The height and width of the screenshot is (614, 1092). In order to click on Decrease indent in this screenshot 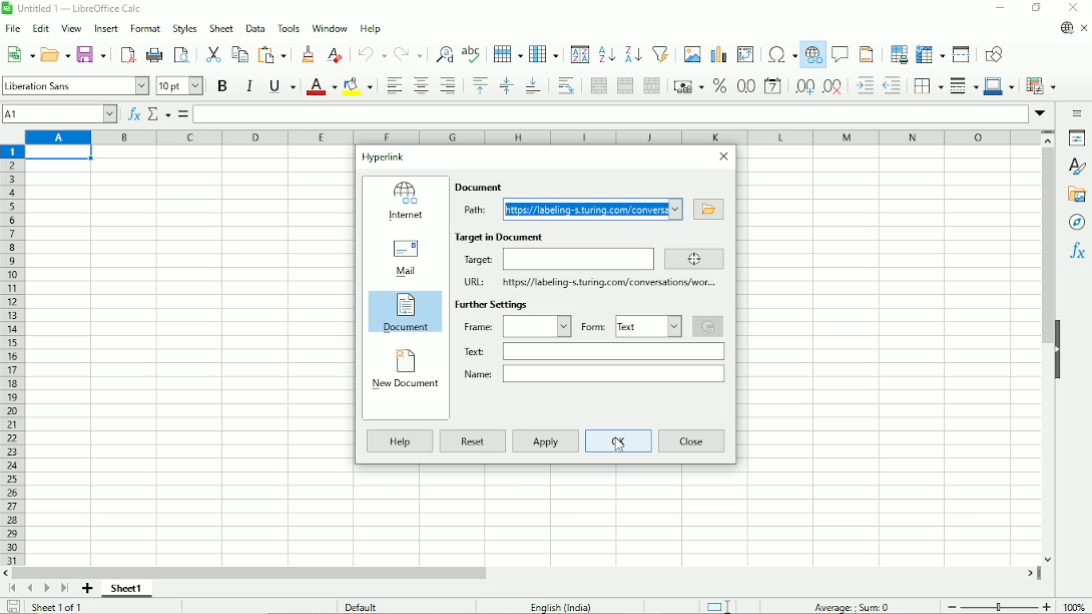, I will do `click(892, 87)`.